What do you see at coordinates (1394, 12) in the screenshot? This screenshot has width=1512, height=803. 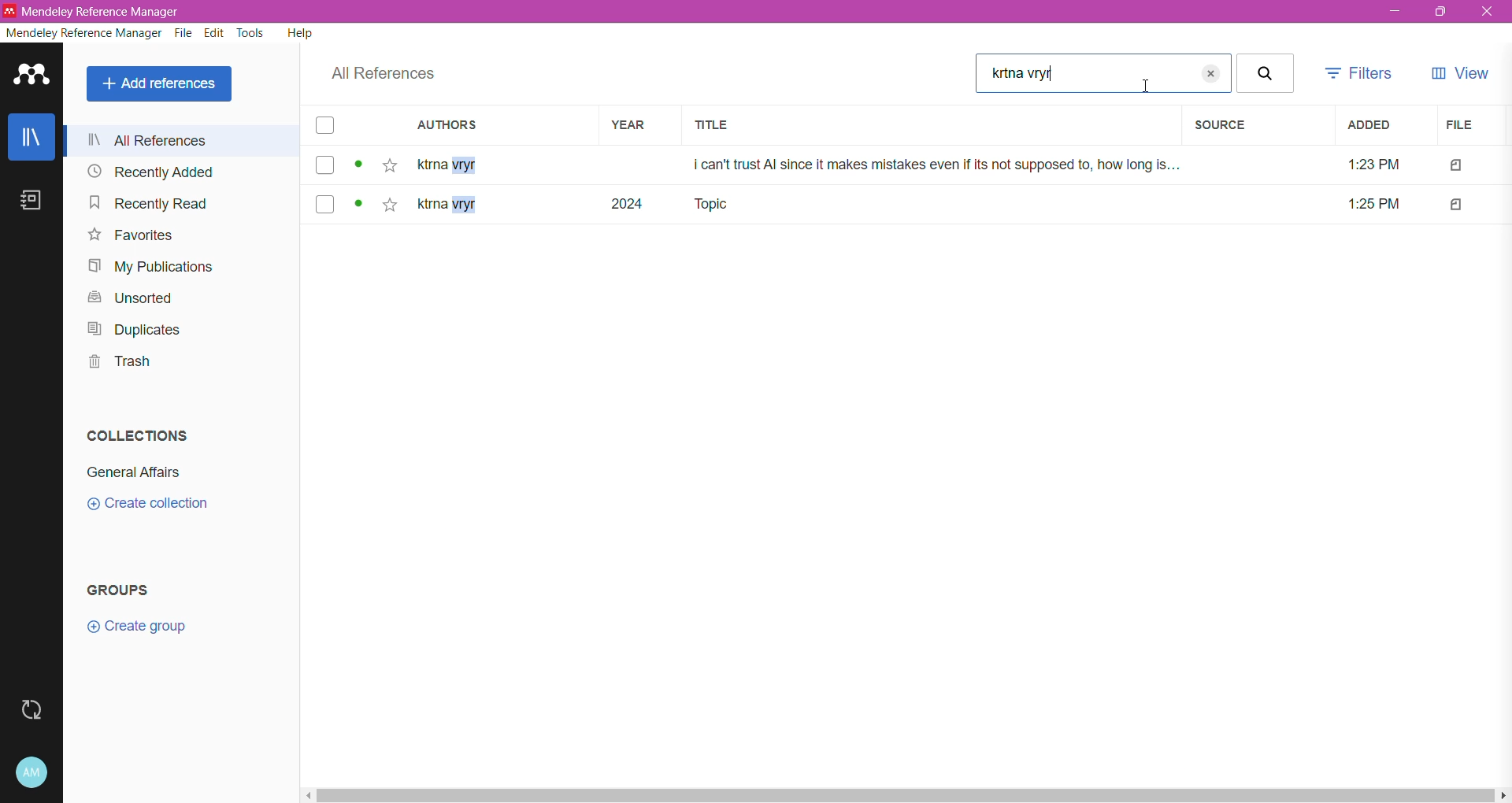 I see `Minimize` at bounding box center [1394, 12].